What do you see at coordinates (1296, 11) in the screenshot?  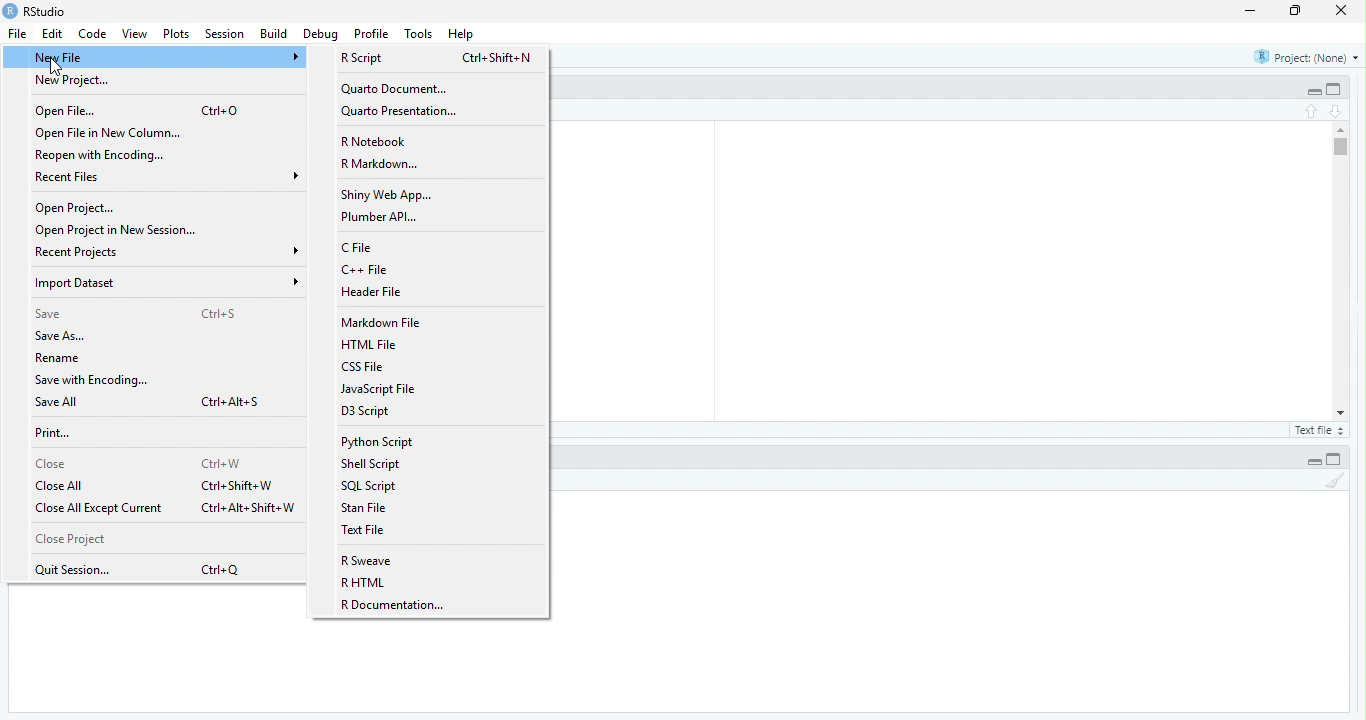 I see `maximise` at bounding box center [1296, 11].